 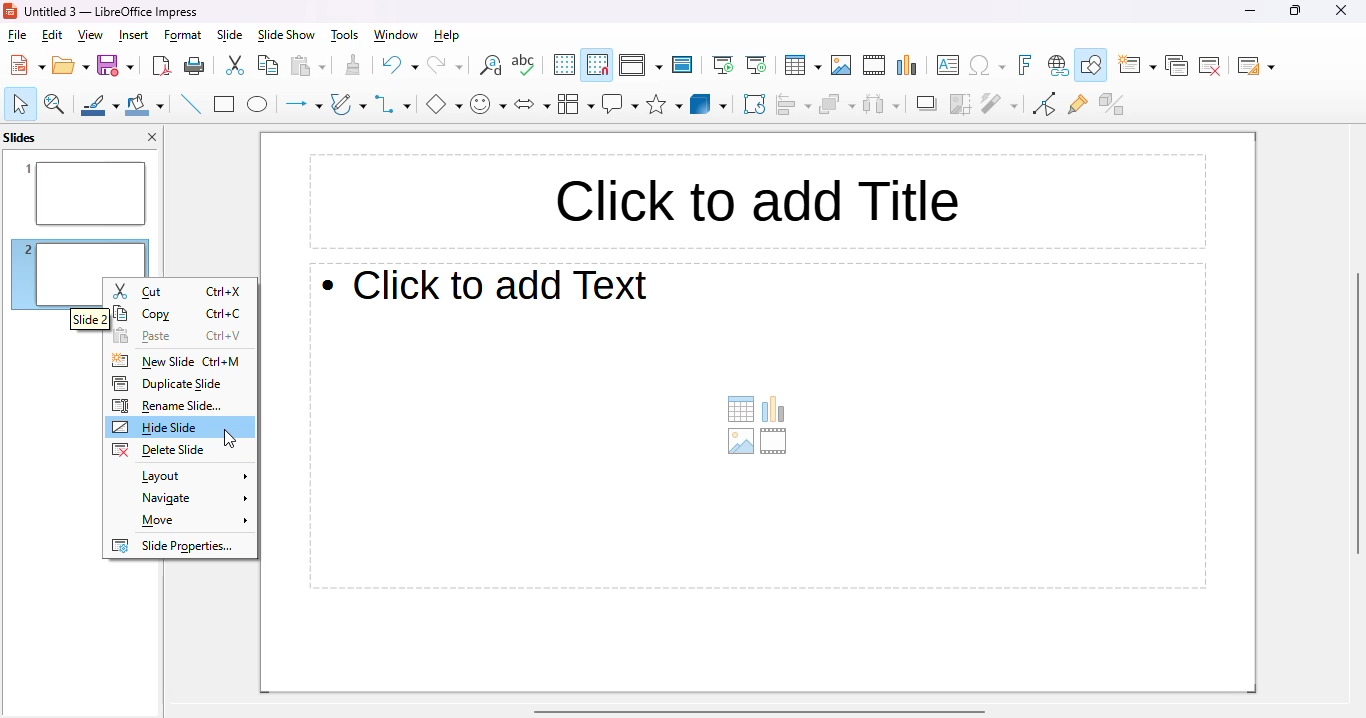 I want to click on export directly as PDF, so click(x=162, y=66).